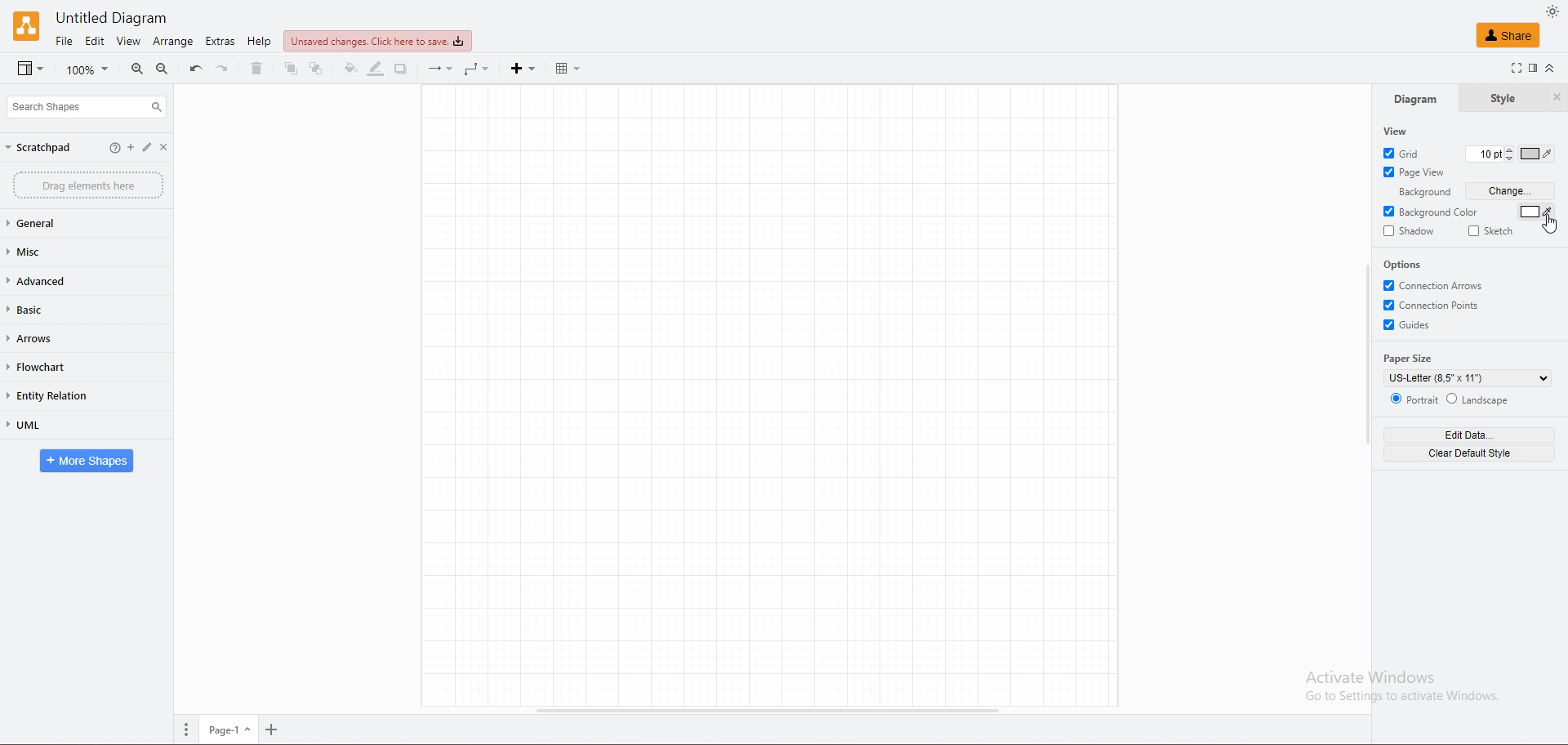  Describe the element at coordinates (1480, 399) in the screenshot. I see `landscape` at that location.